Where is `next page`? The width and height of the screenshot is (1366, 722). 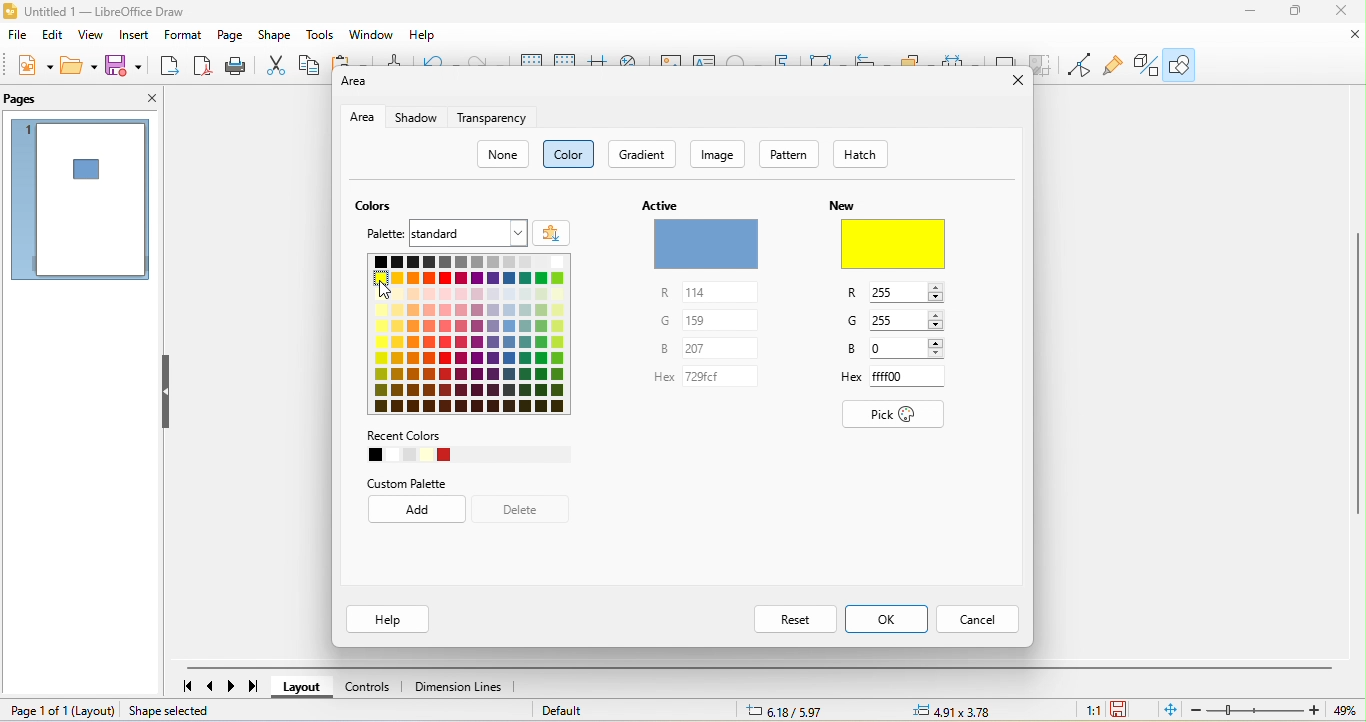 next page is located at coordinates (235, 686).